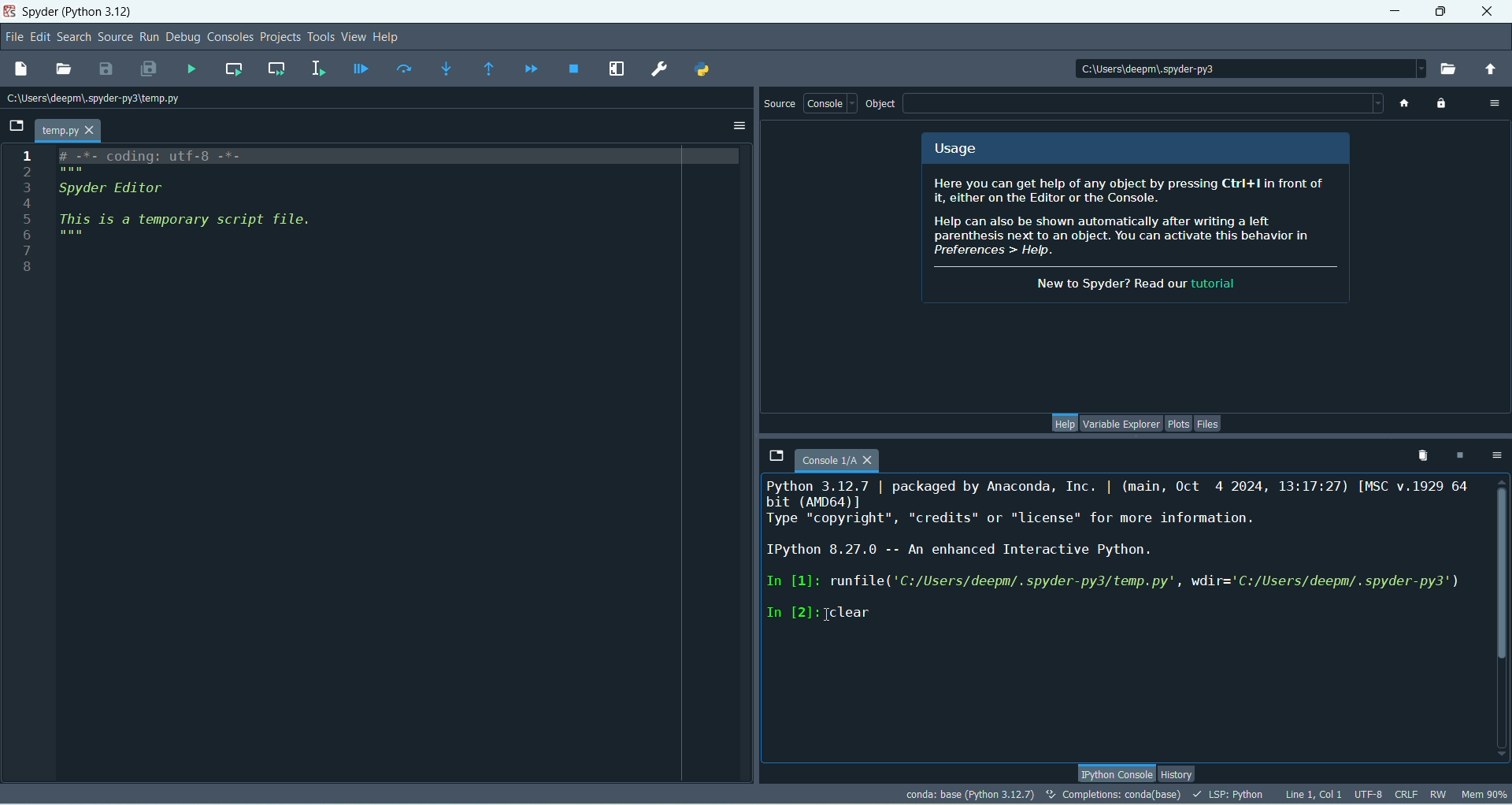 Image resolution: width=1512 pixels, height=805 pixels. Describe the element at coordinates (1499, 618) in the screenshot. I see `vertical scroll bar` at that location.